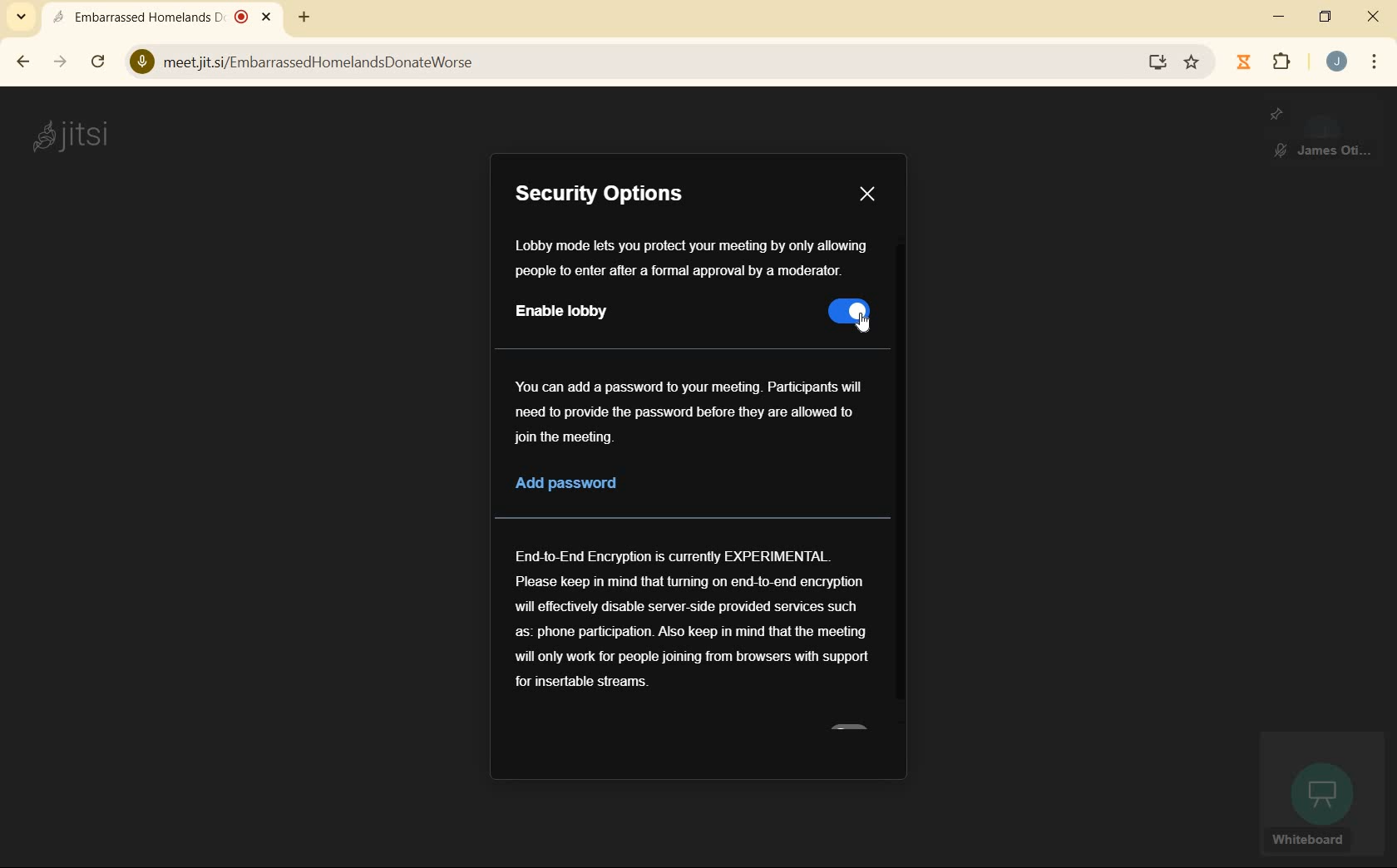 Image resolution: width=1397 pixels, height=868 pixels. Describe the element at coordinates (1320, 795) in the screenshot. I see `whiteboard` at that location.